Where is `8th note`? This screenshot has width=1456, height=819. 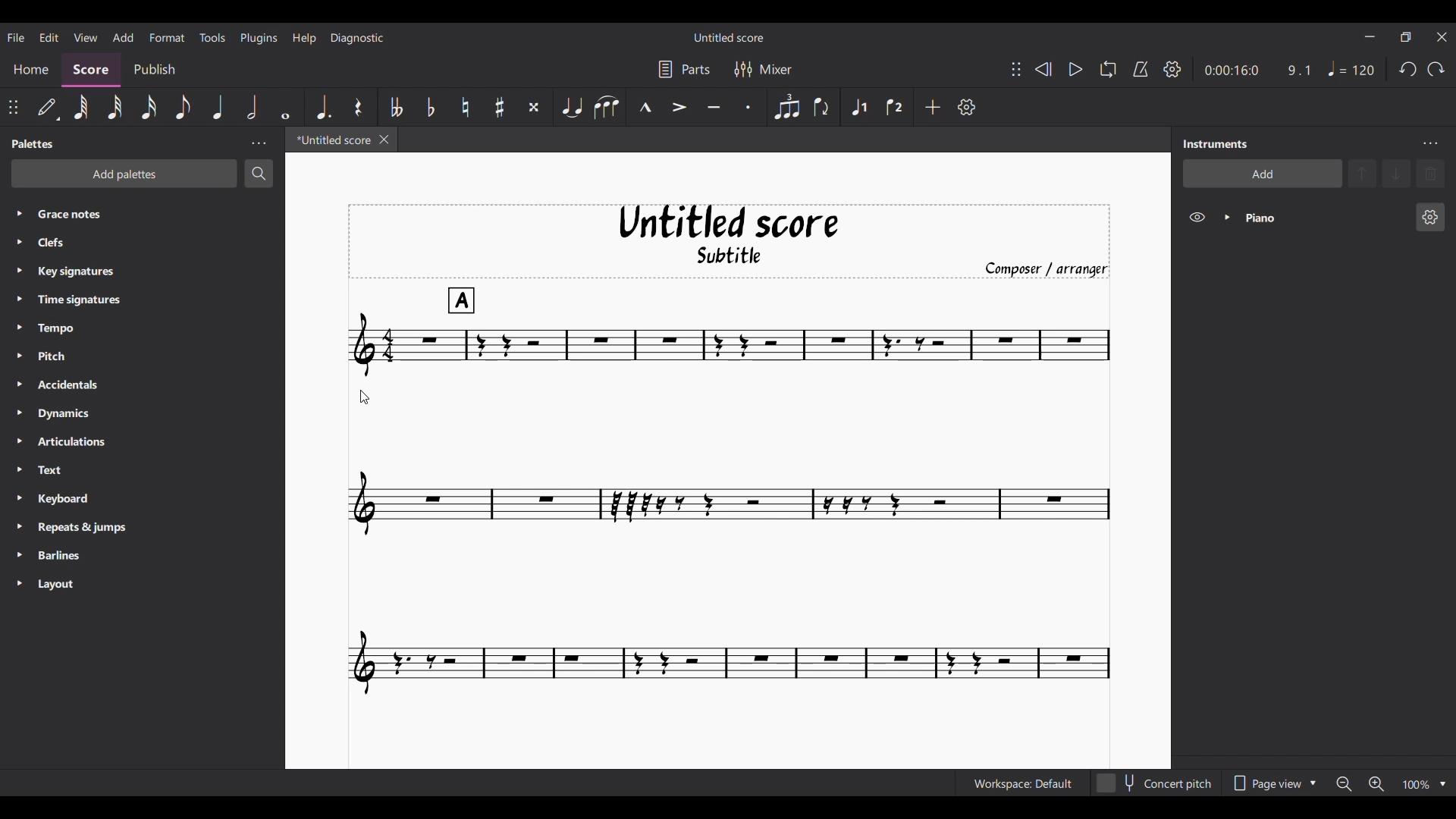 8th note is located at coordinates (184, 107).